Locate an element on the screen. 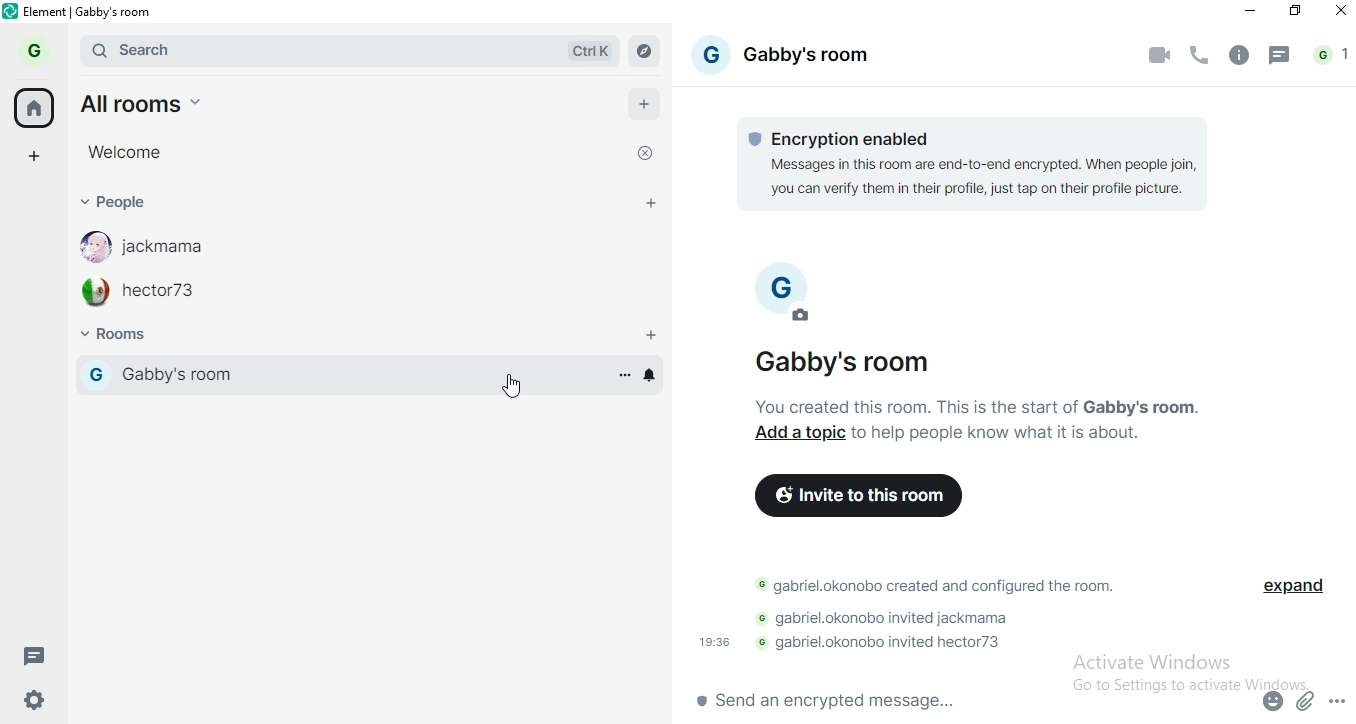  hector73 is located at coordinates (156, 294).